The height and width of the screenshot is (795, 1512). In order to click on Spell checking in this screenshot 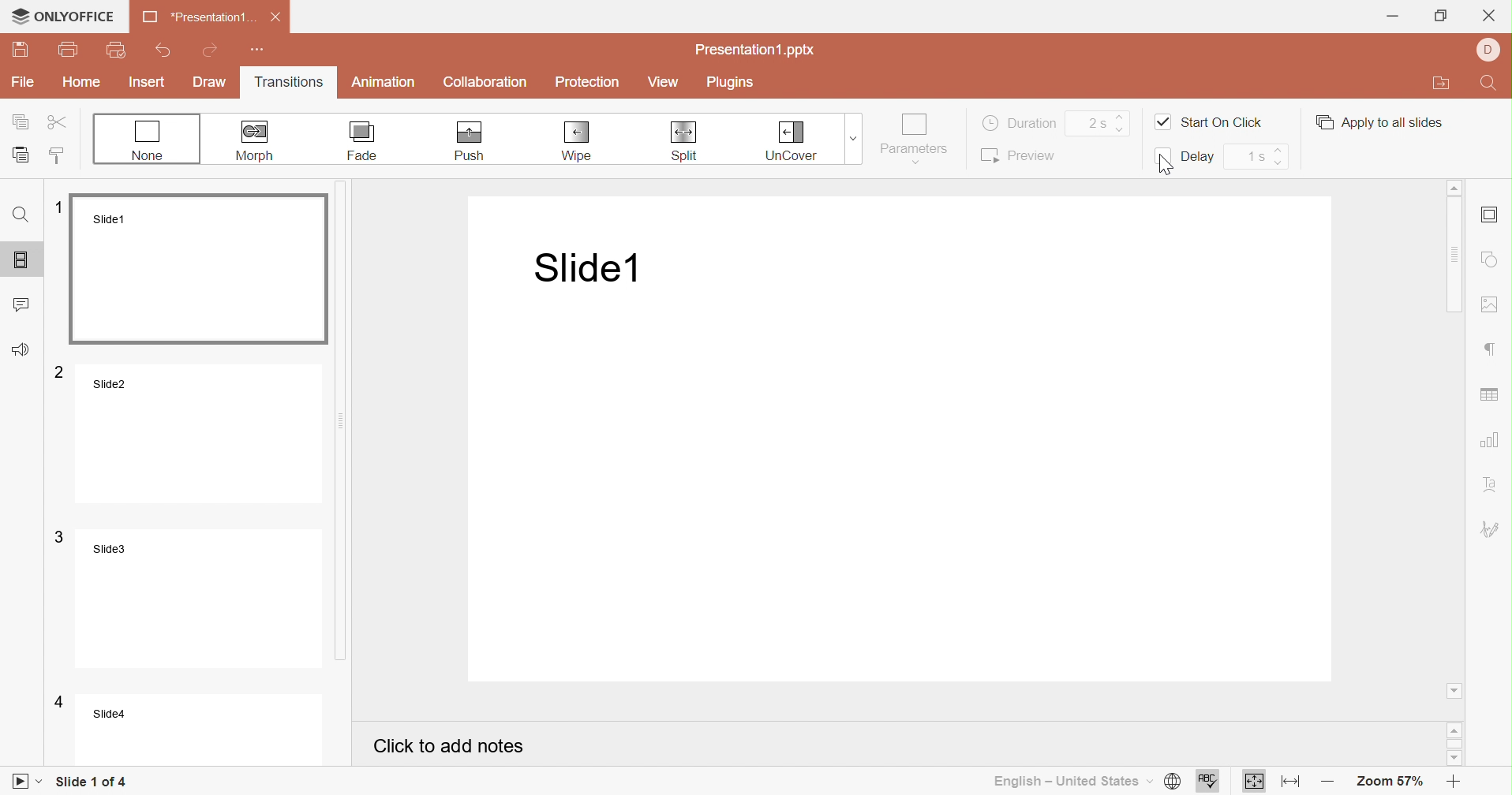, I will do `click(1208, 782)`.